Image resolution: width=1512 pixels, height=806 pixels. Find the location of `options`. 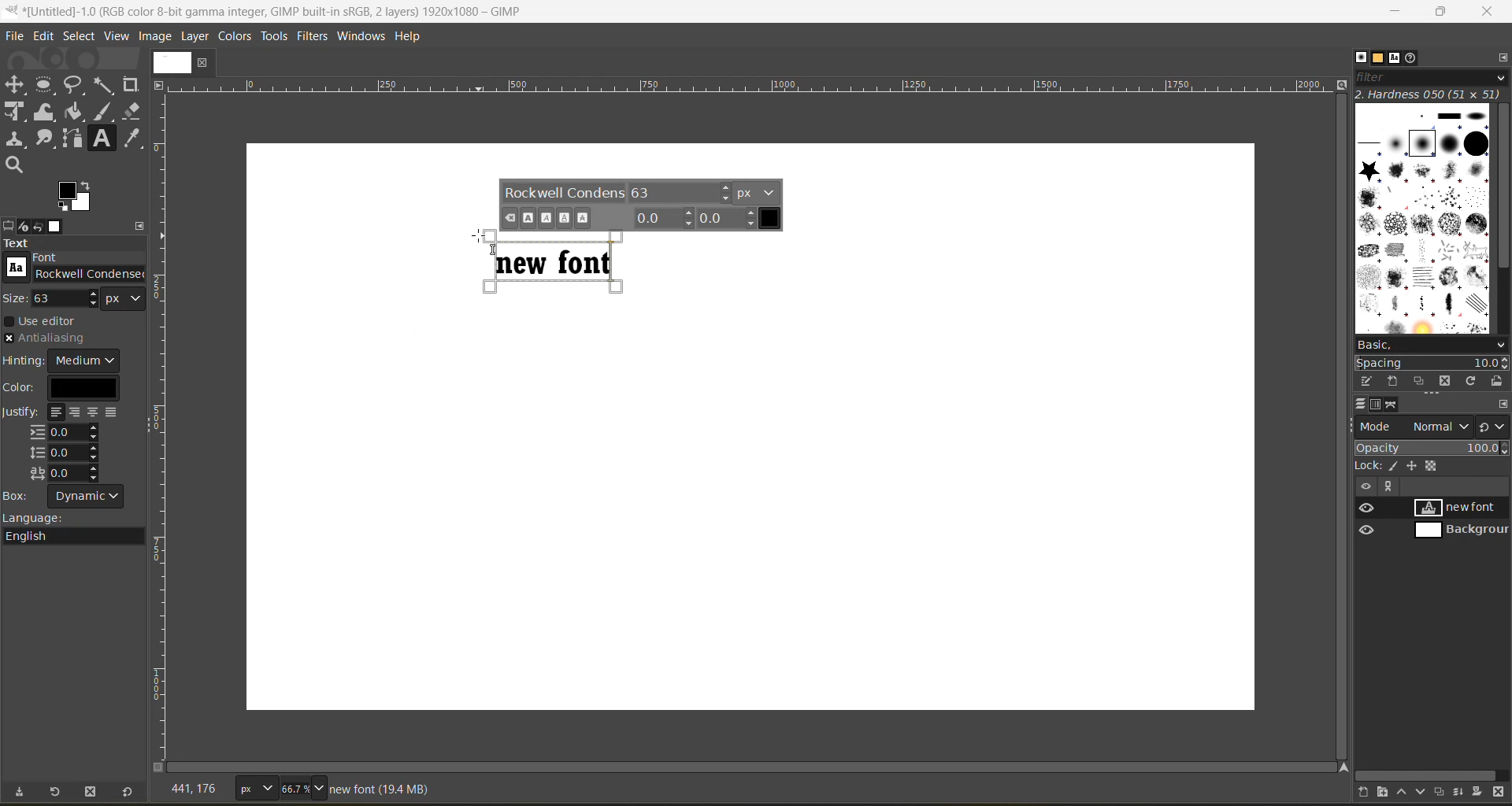

options is located at coordinates (1423, 216).